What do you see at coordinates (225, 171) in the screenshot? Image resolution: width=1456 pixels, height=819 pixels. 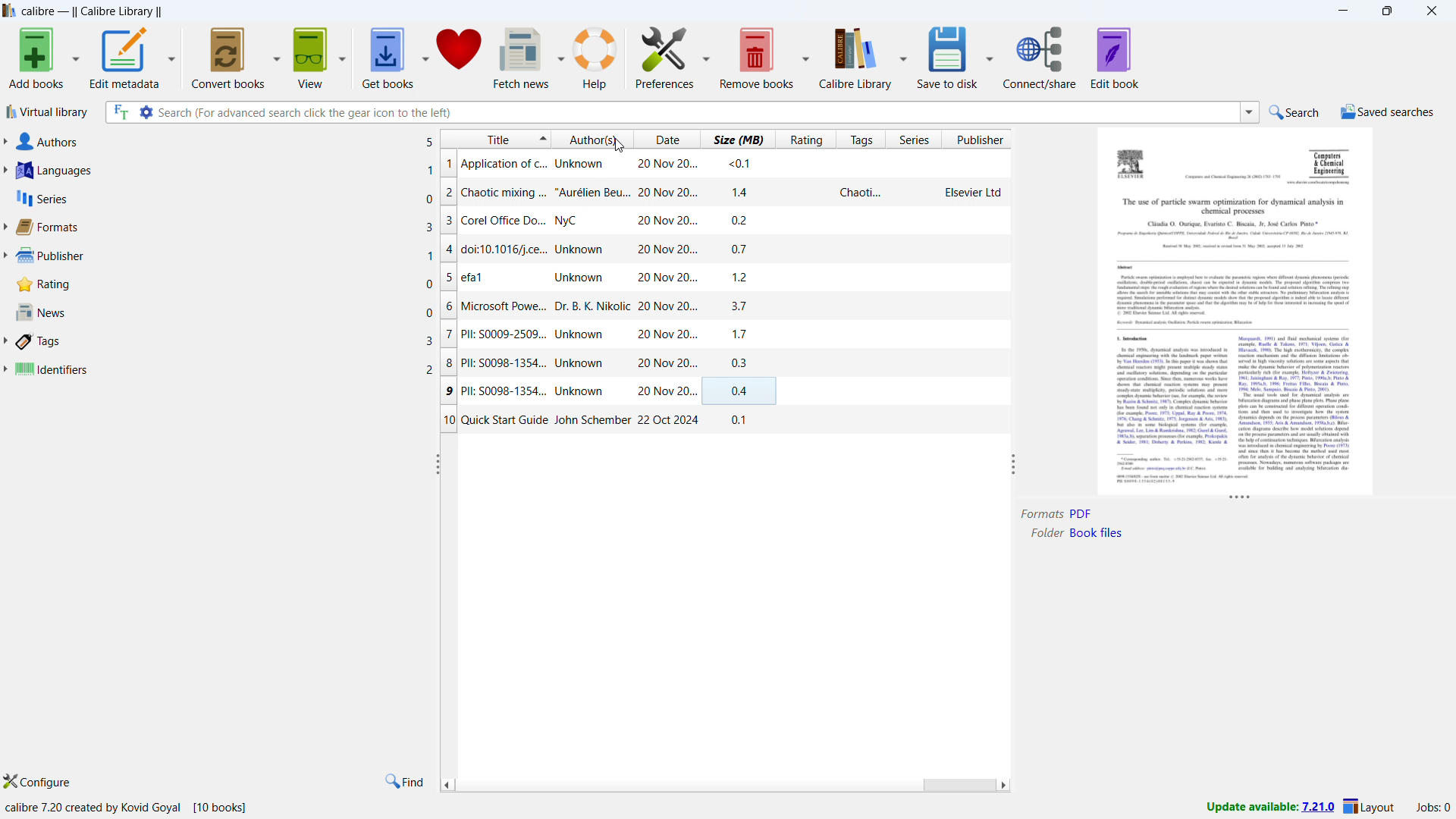 I see `languages` at bounding box center [225, 171].